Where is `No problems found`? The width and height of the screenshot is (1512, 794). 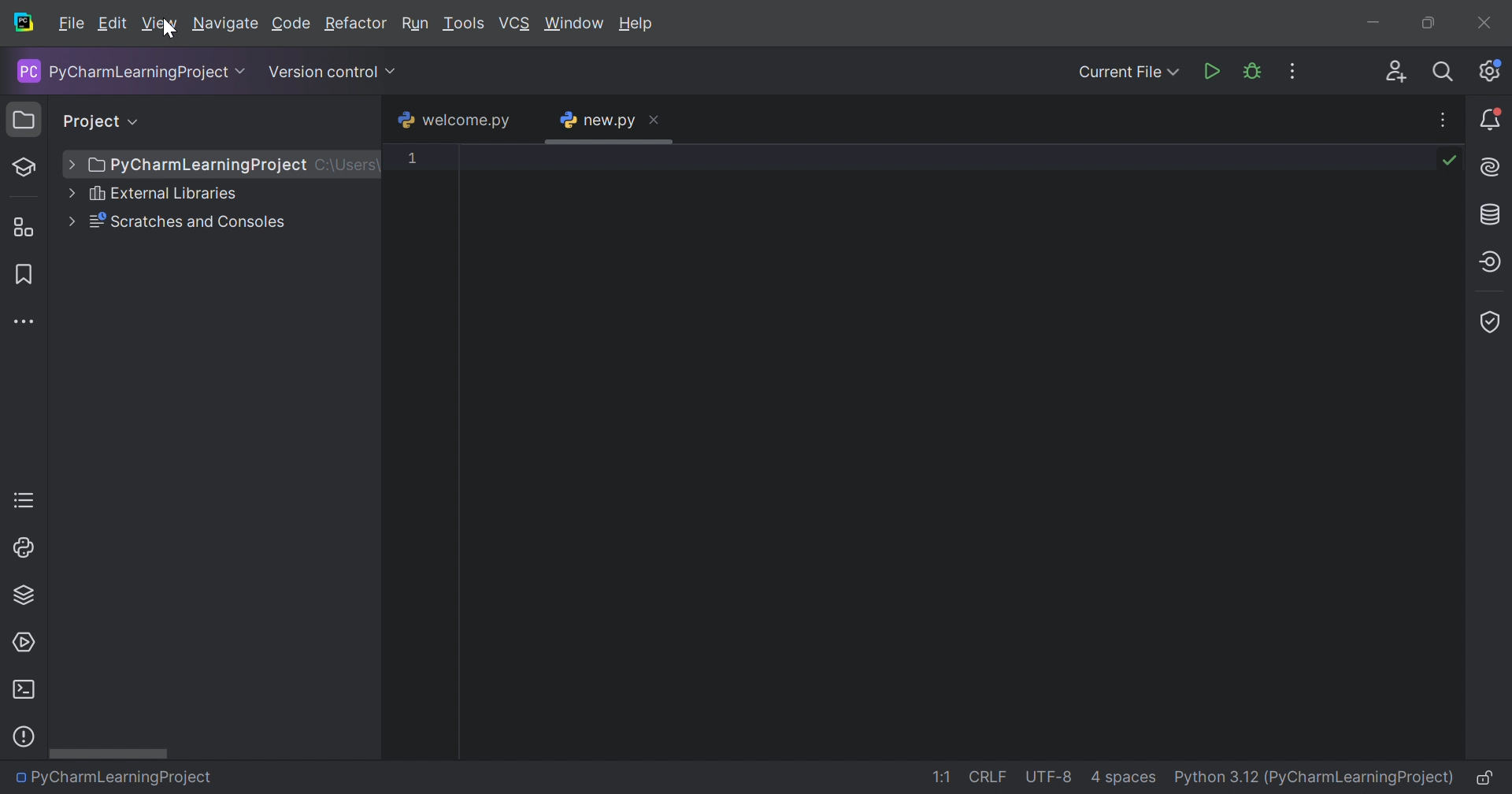
No problems found is located at coordinates (1451, 161).